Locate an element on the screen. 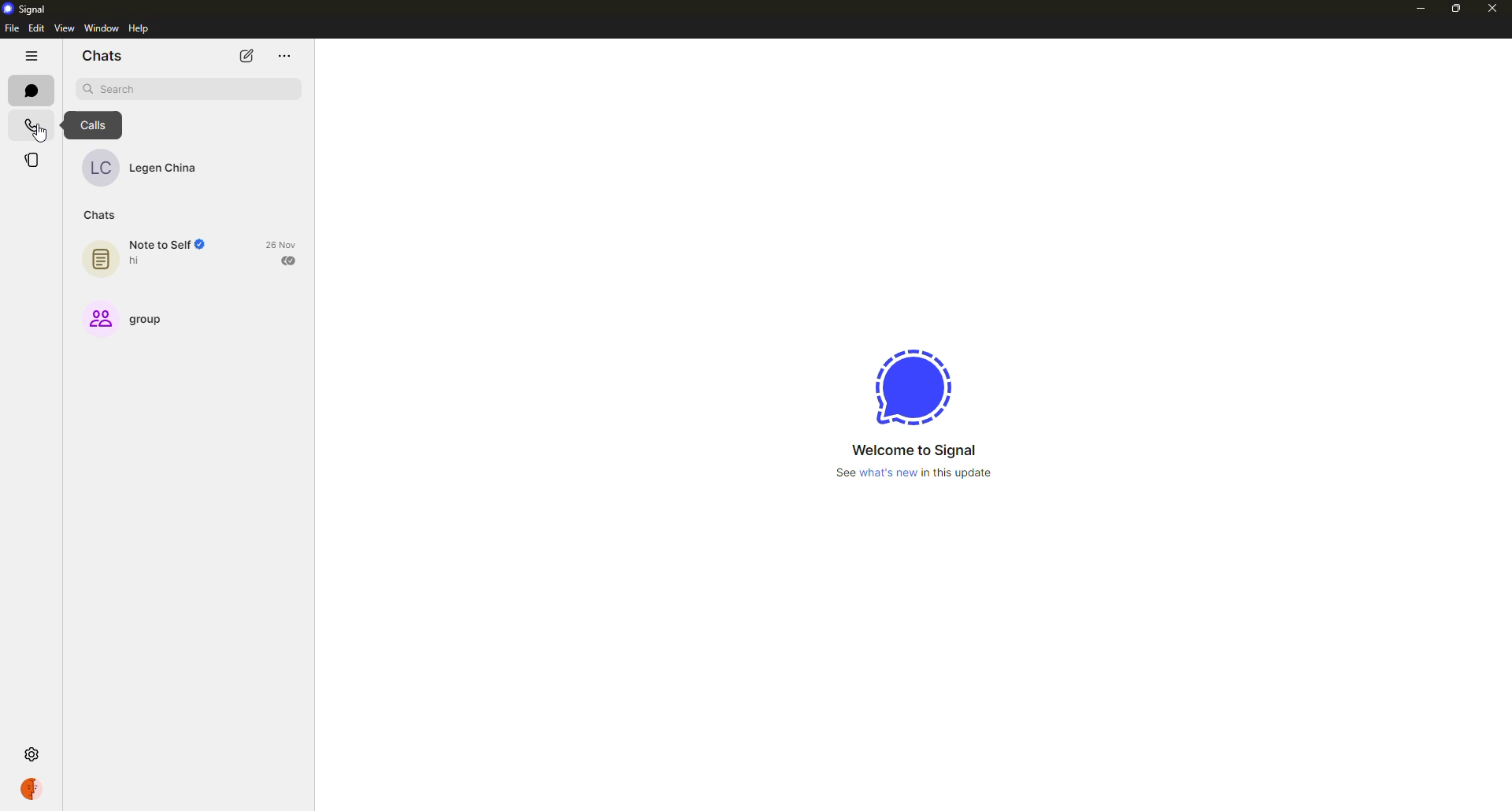 The width and height of the screenshot is (1512, 811). calls is located at coordinates (93, 125).